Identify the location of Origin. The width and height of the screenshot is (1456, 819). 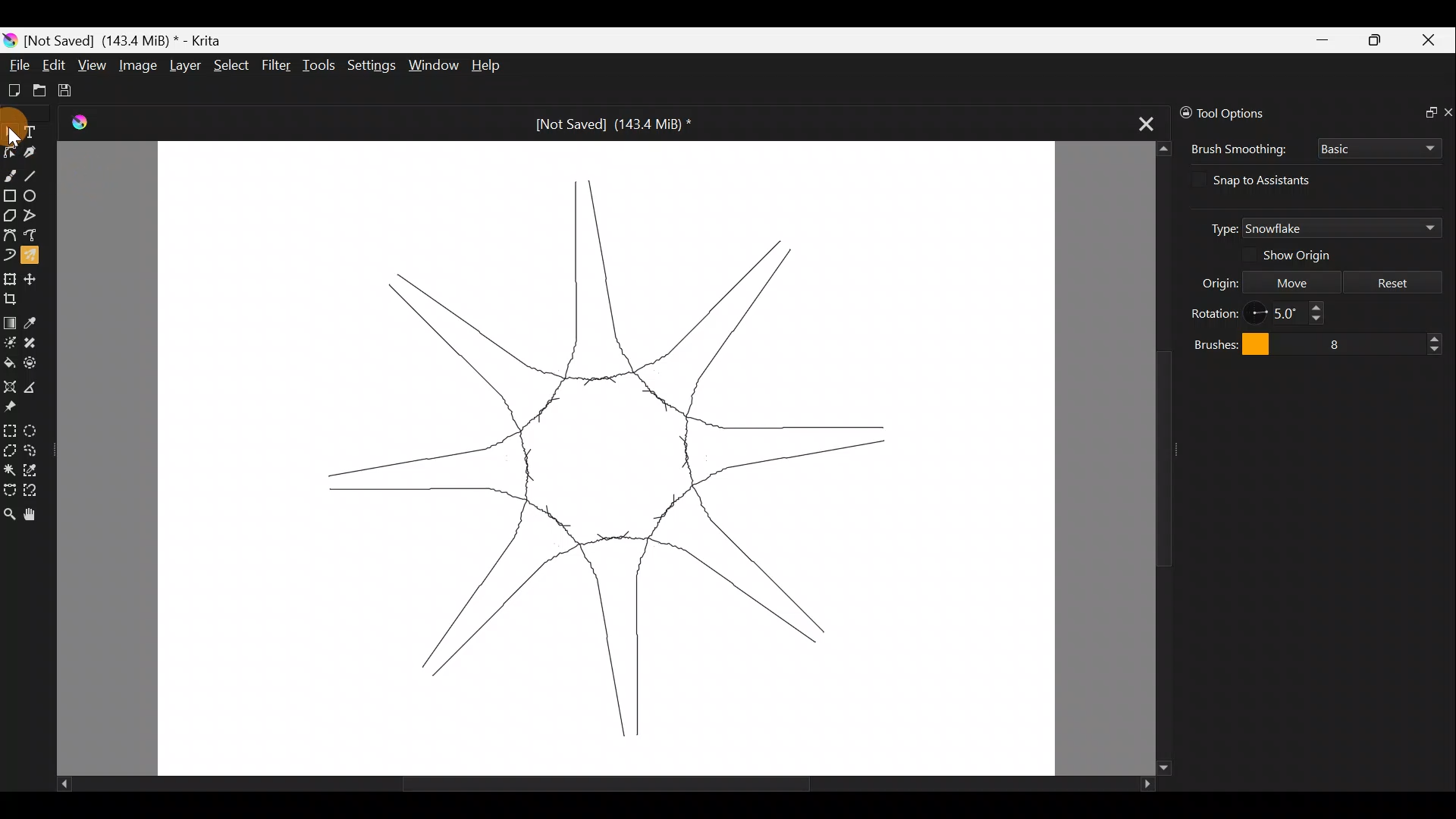
(1206, 281).